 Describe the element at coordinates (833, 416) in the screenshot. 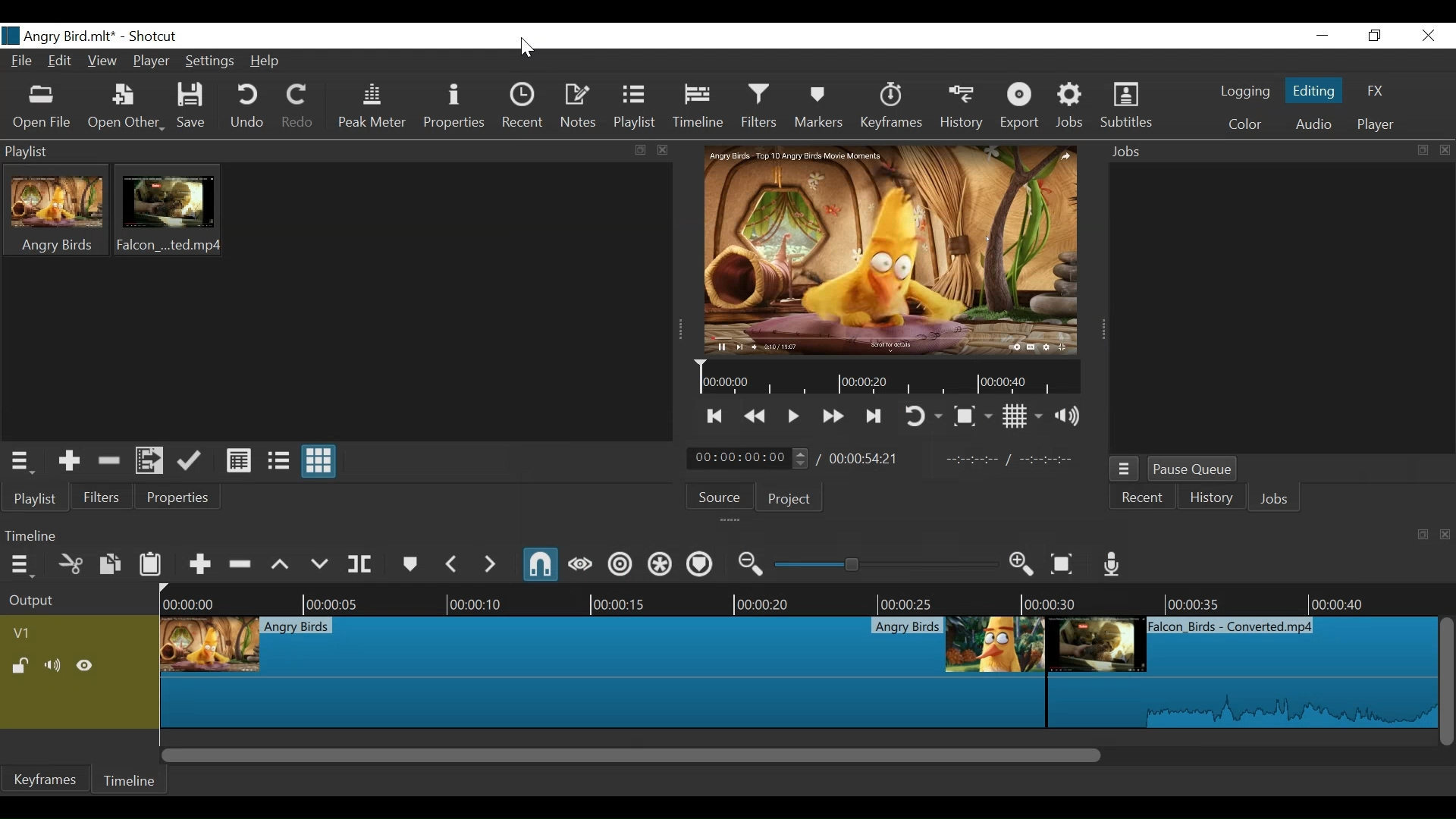

I see `Play forward quickly` at that location.